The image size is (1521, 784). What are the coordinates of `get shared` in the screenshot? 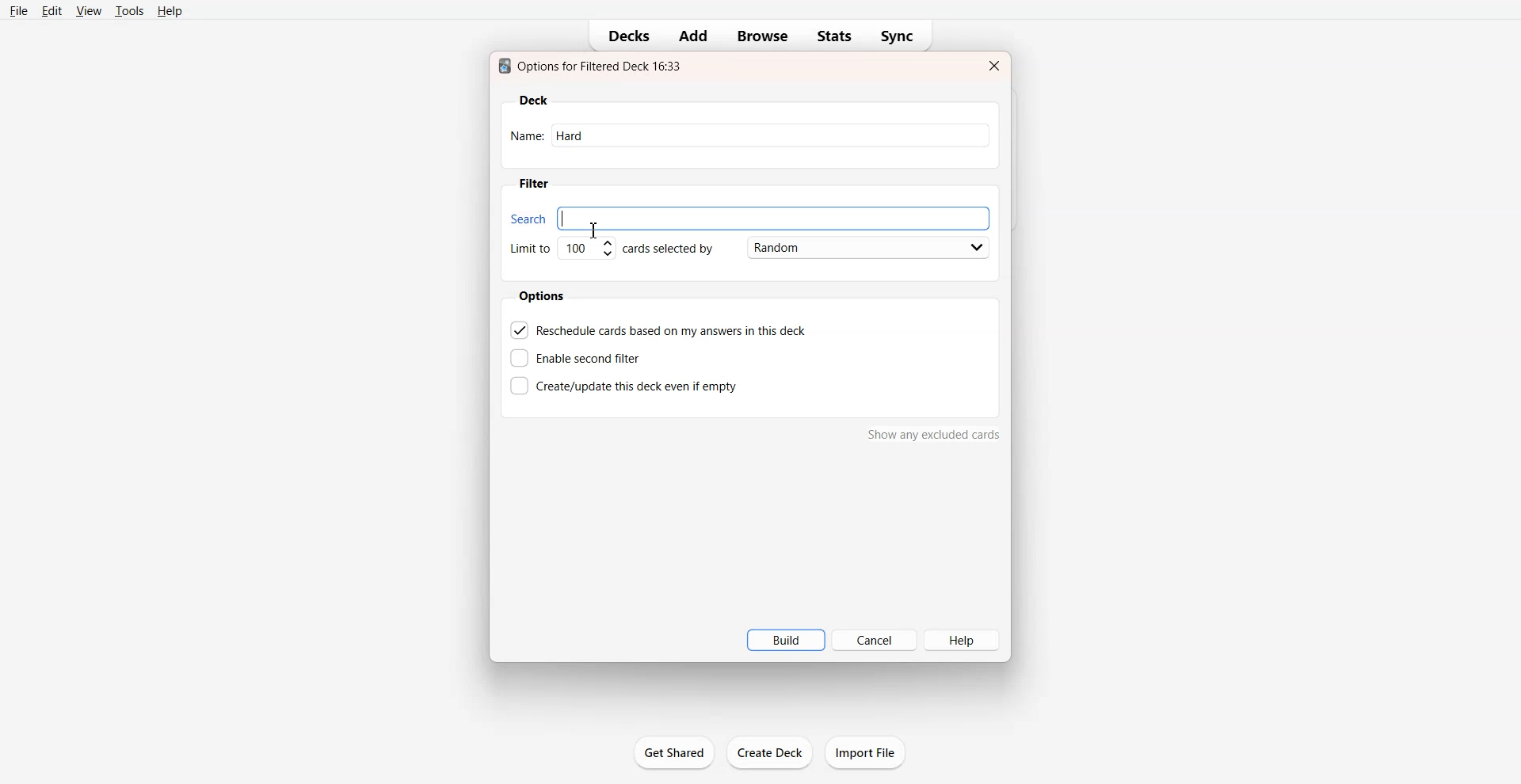 It's located at (677, 755).